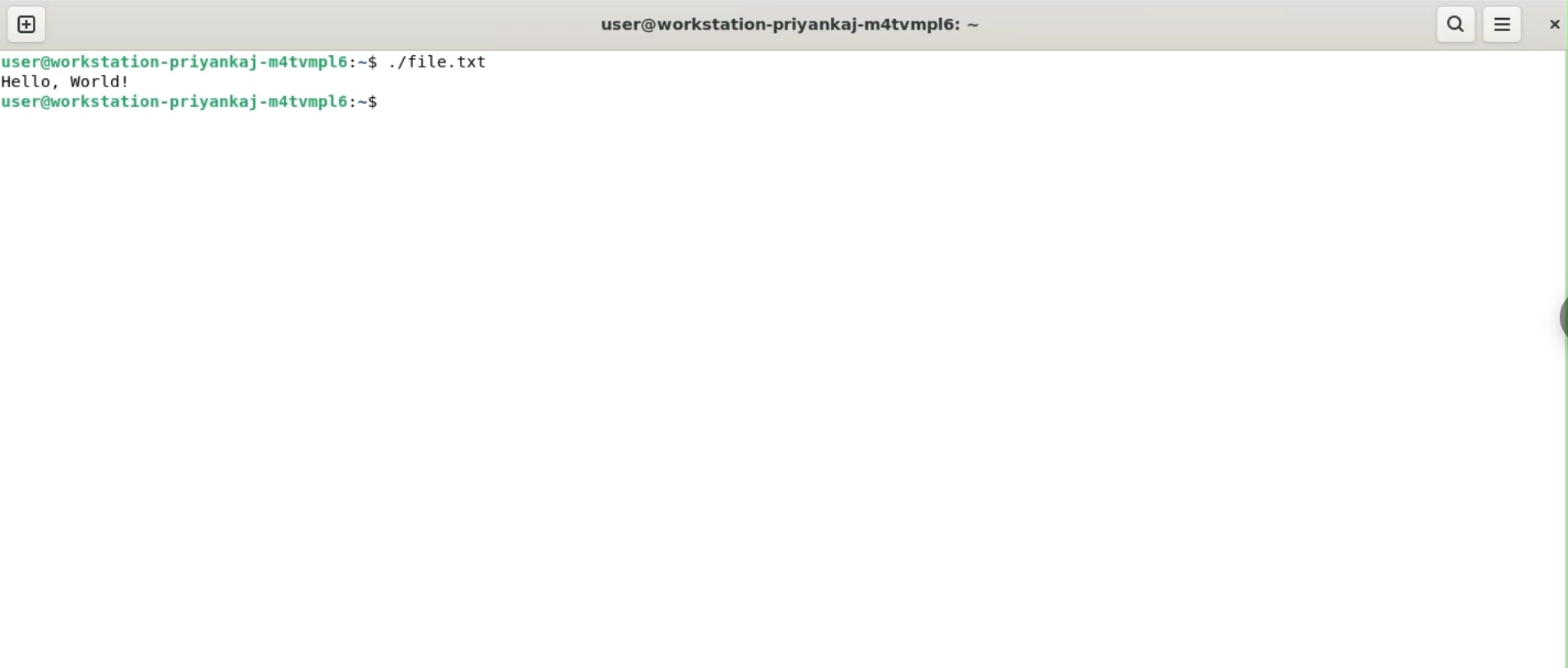 This screenshot has height=668, width=1568. Describe the element at coordinates (1552, 25) in the screenshot. I see `close` at that location.